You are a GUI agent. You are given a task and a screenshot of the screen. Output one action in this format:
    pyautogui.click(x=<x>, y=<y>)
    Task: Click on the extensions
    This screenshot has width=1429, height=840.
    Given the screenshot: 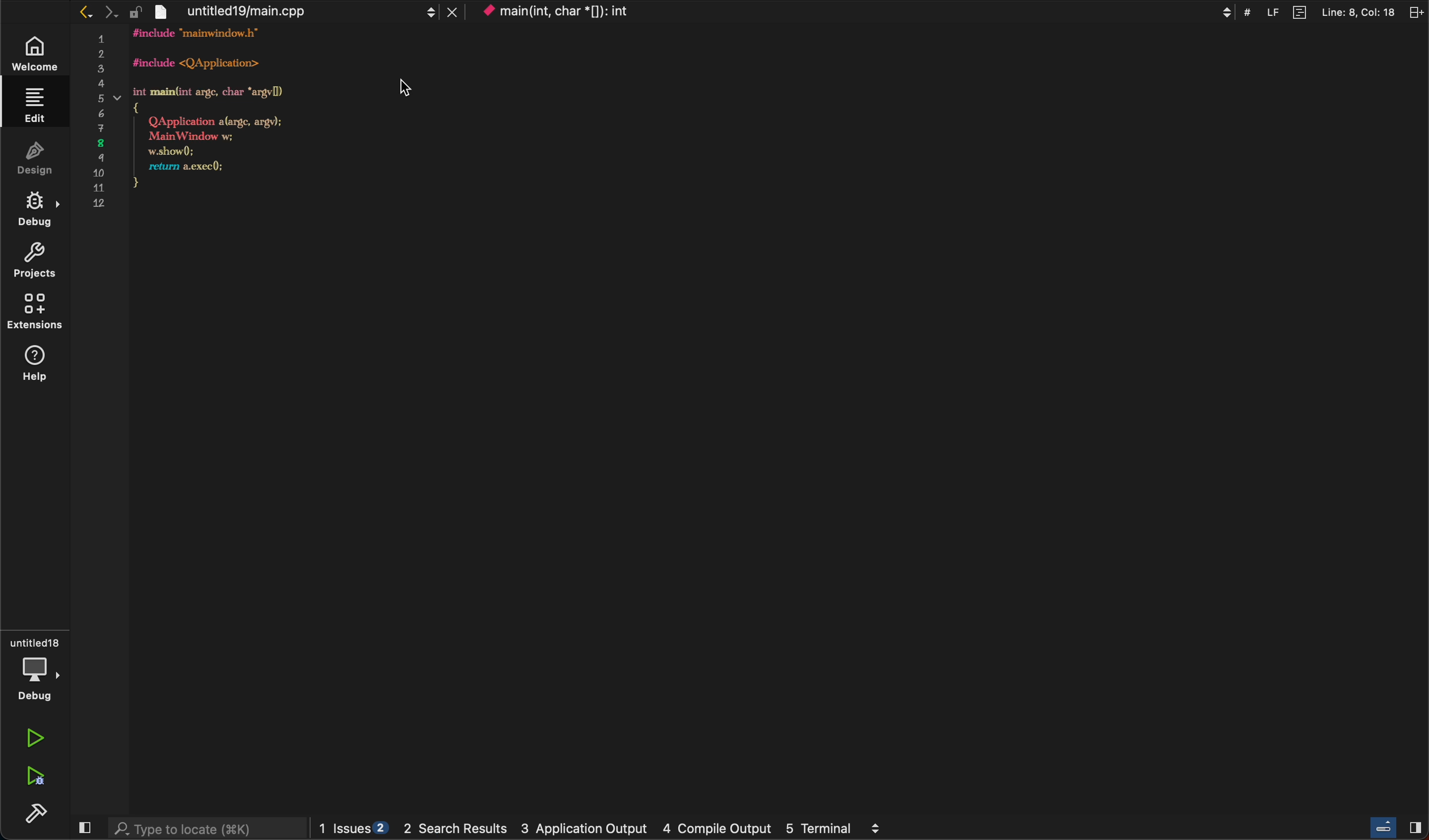 What is the action you would take?
    pyautogui.click(x=33, y=314)
    